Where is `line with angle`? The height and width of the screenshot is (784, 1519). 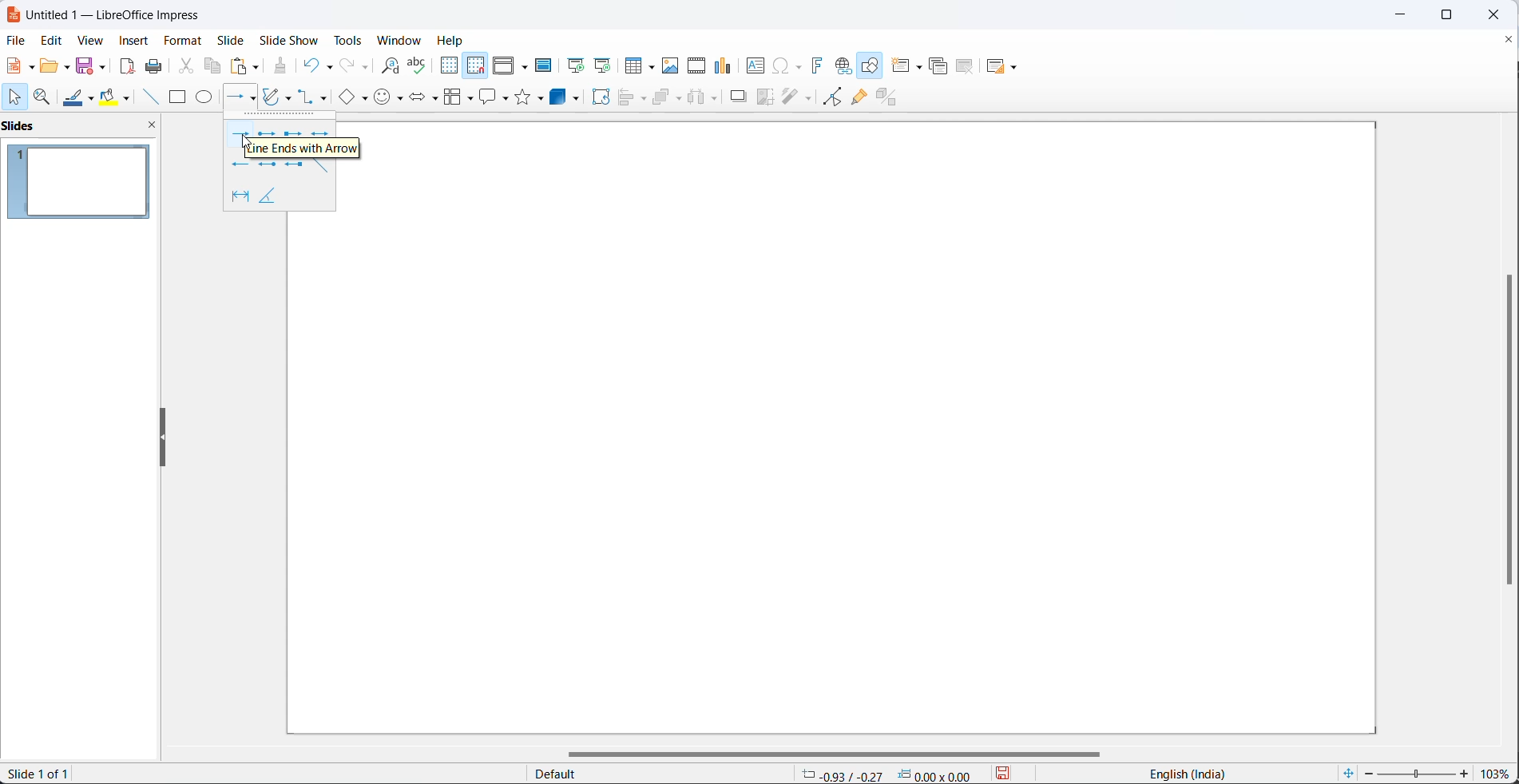 line with angle is located at coordinates (278, 198).